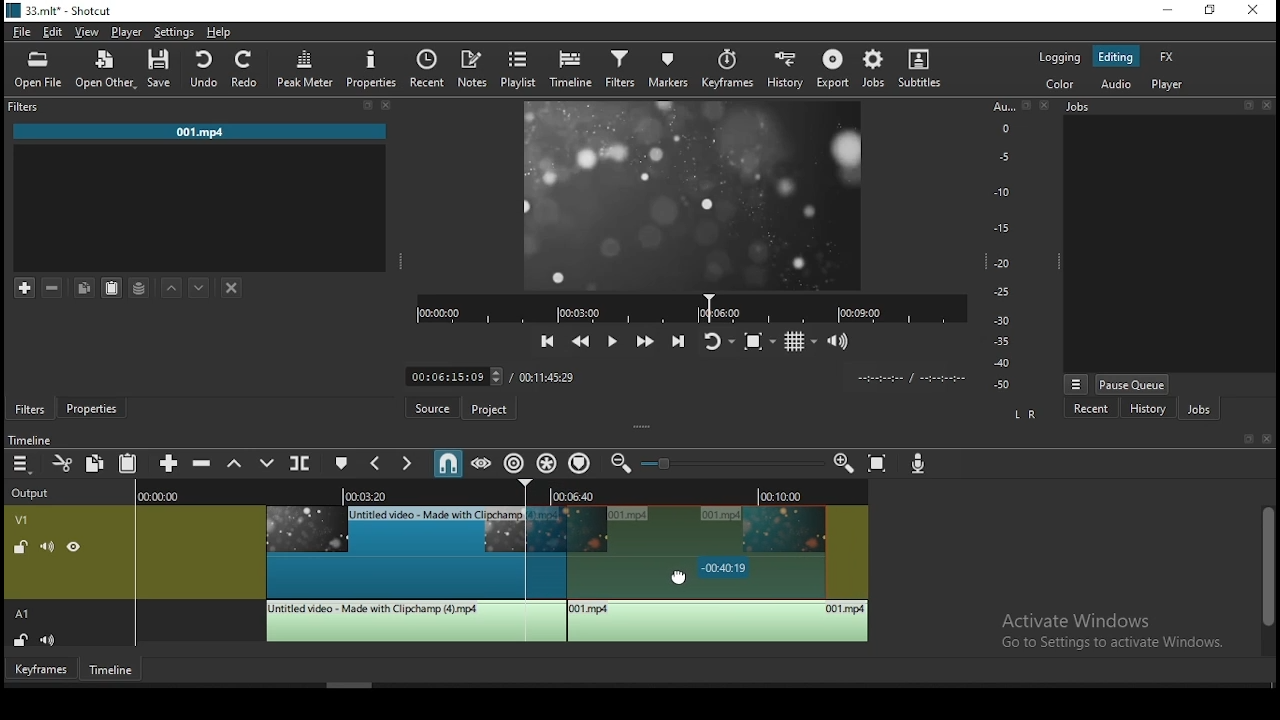 This screenshot has width=1280, height=720. I want to click on filters, so click(203, 108).